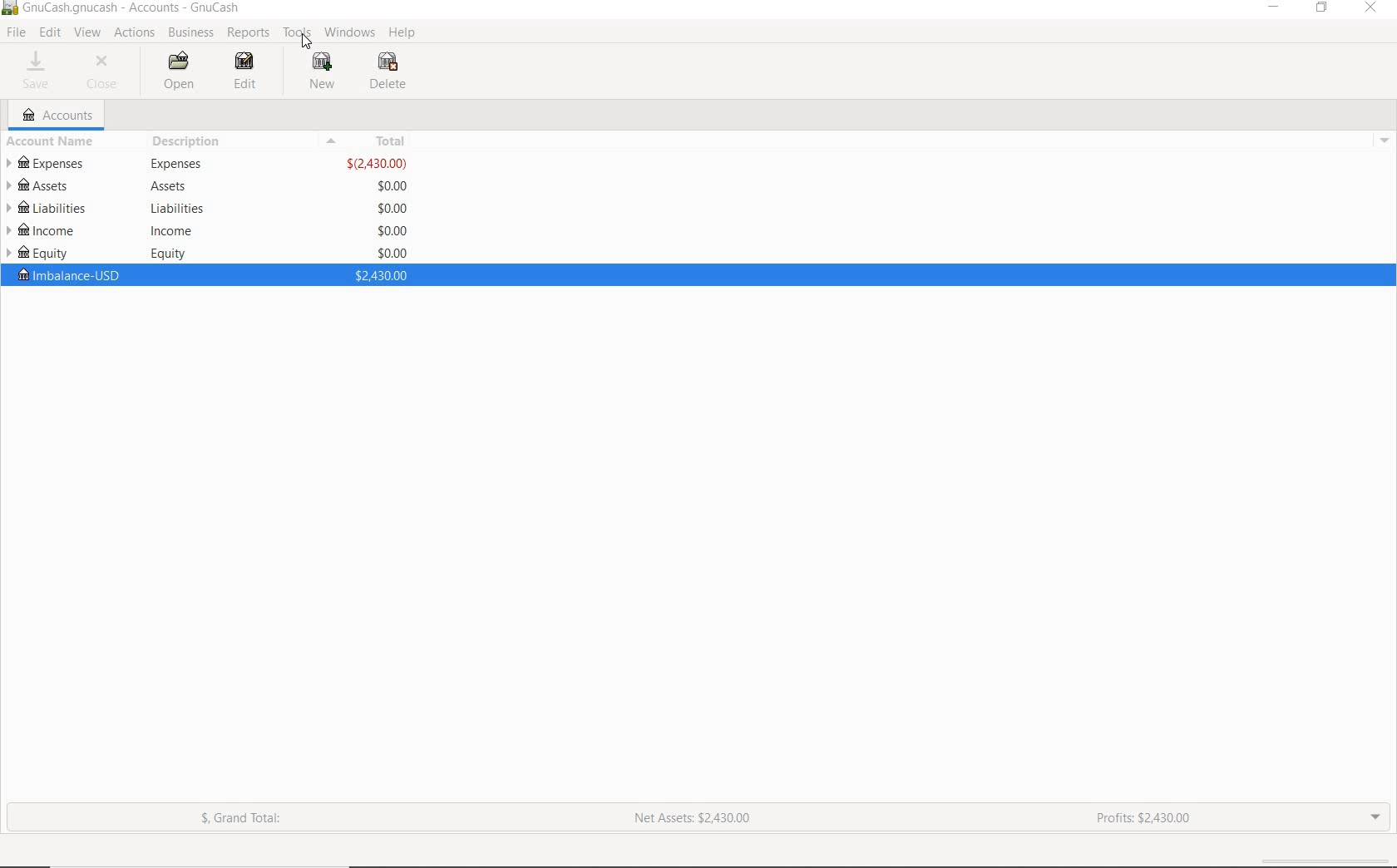 The image size is (1397, 868). Describe the element at coordinates (378, 164) in the screenshot. I see `$2430.00` at that location.